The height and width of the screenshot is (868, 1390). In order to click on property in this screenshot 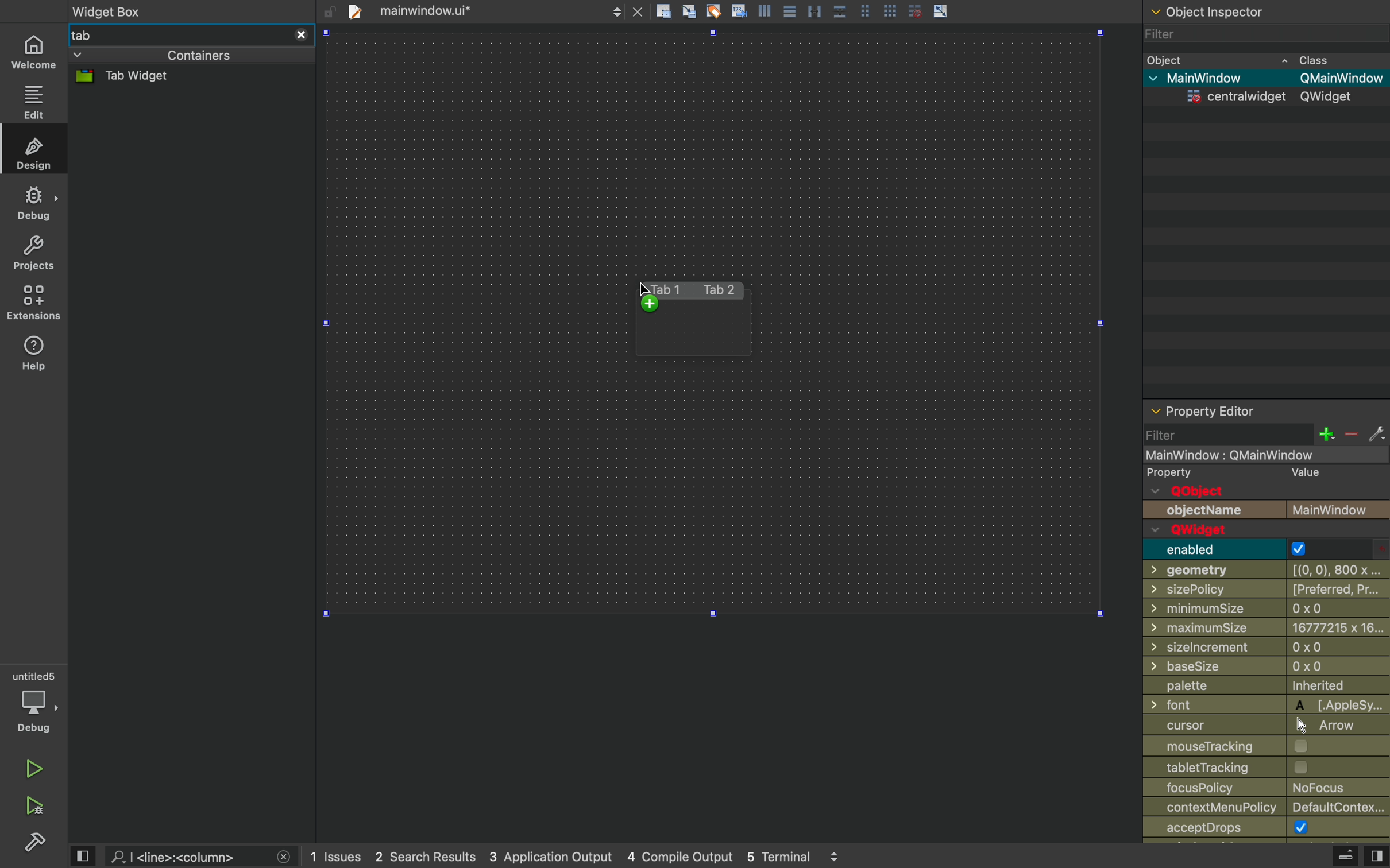, I will do `click(1257, 473)`.